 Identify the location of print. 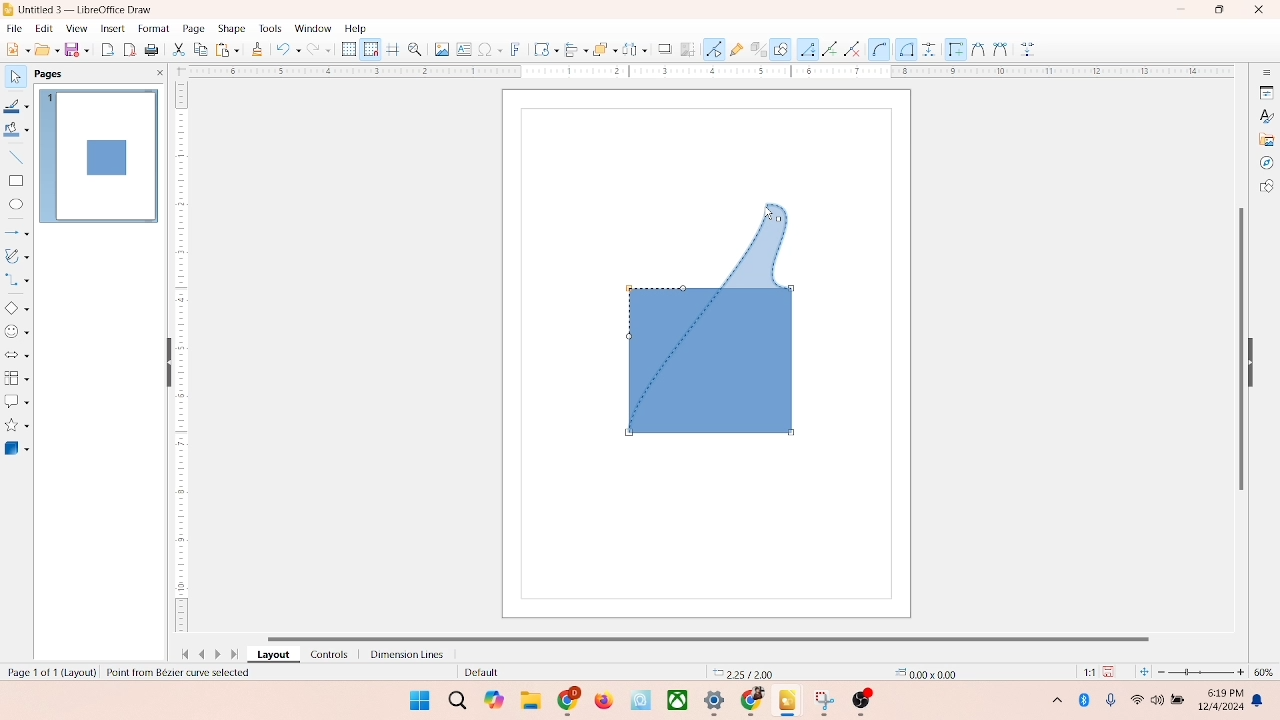
(154, 51).